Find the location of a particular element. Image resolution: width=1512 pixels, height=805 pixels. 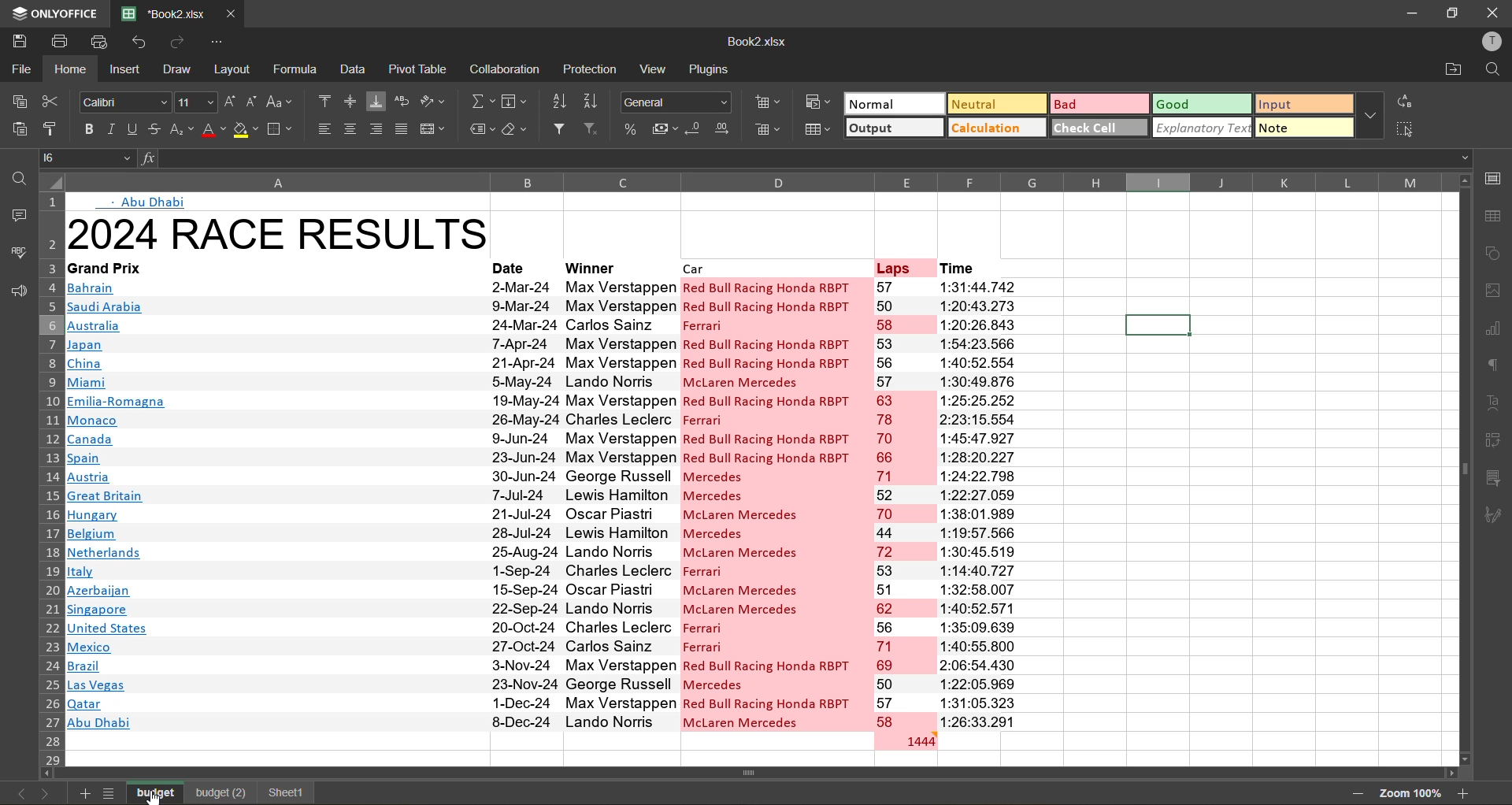

feedback is located at coordinates (16, 292).